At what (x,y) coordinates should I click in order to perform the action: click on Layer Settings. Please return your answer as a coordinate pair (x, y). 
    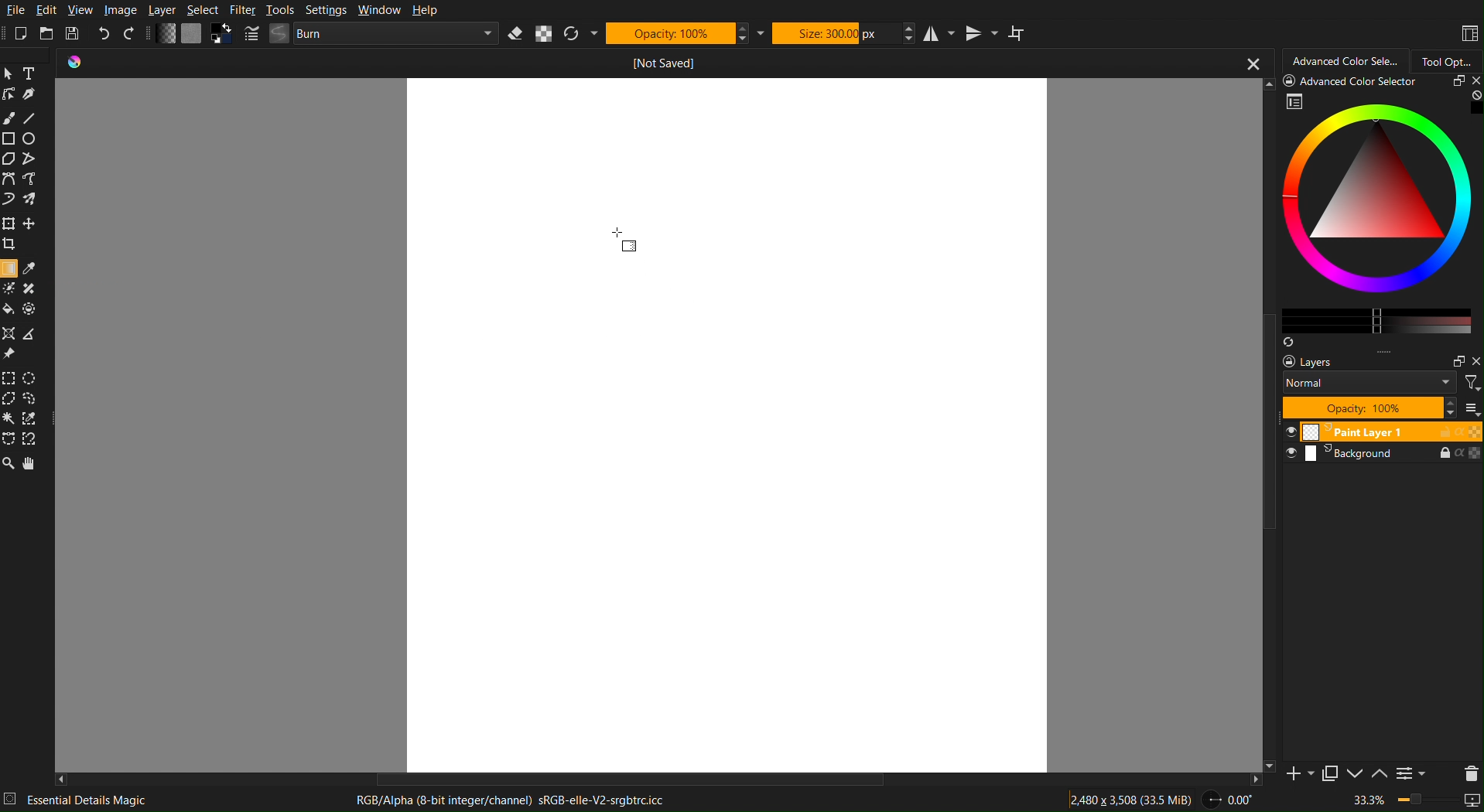
    Looking at the image, I should click on (1381, 387).